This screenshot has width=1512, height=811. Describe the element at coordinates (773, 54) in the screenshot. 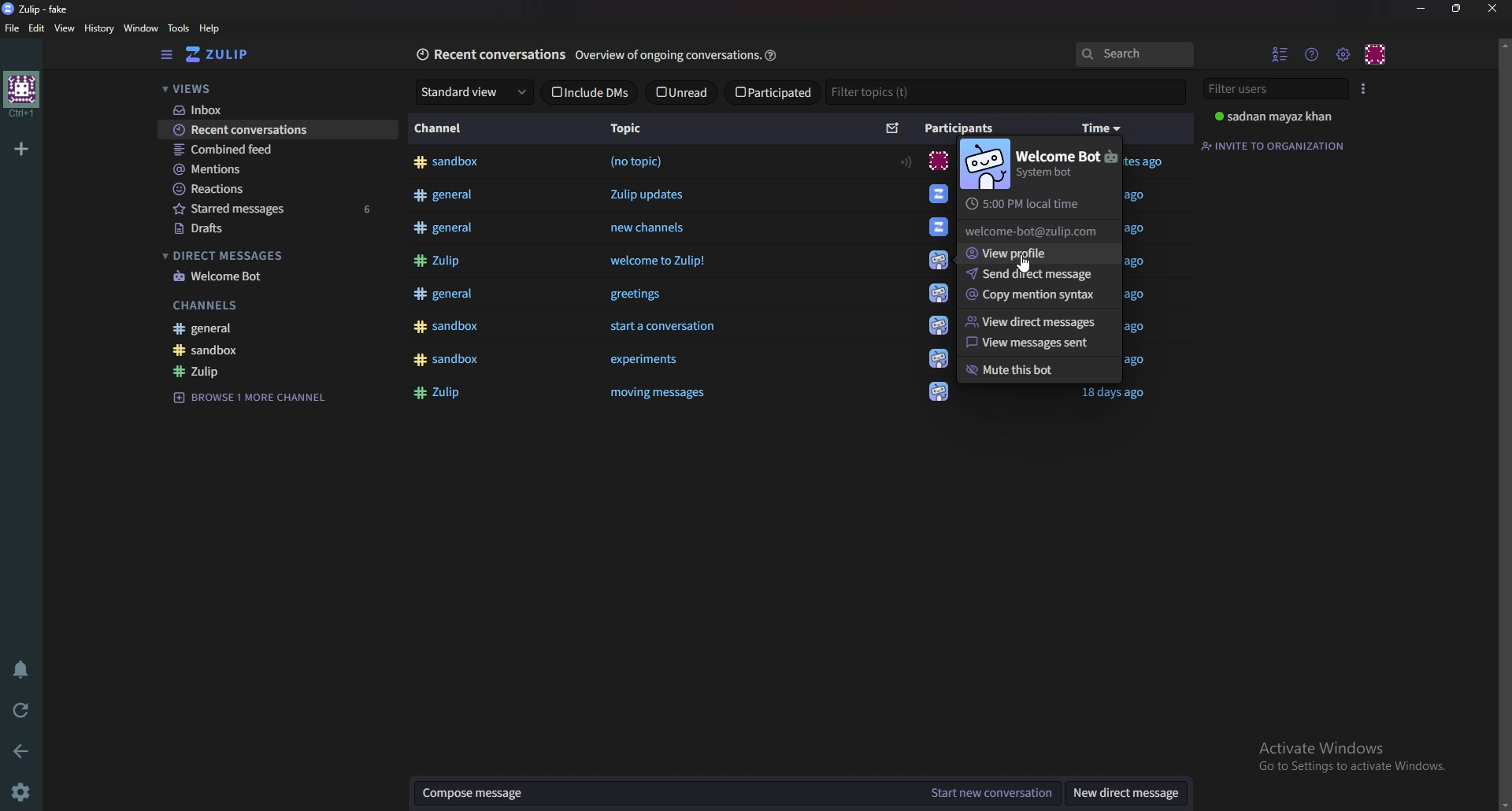

I see `help` at that location.